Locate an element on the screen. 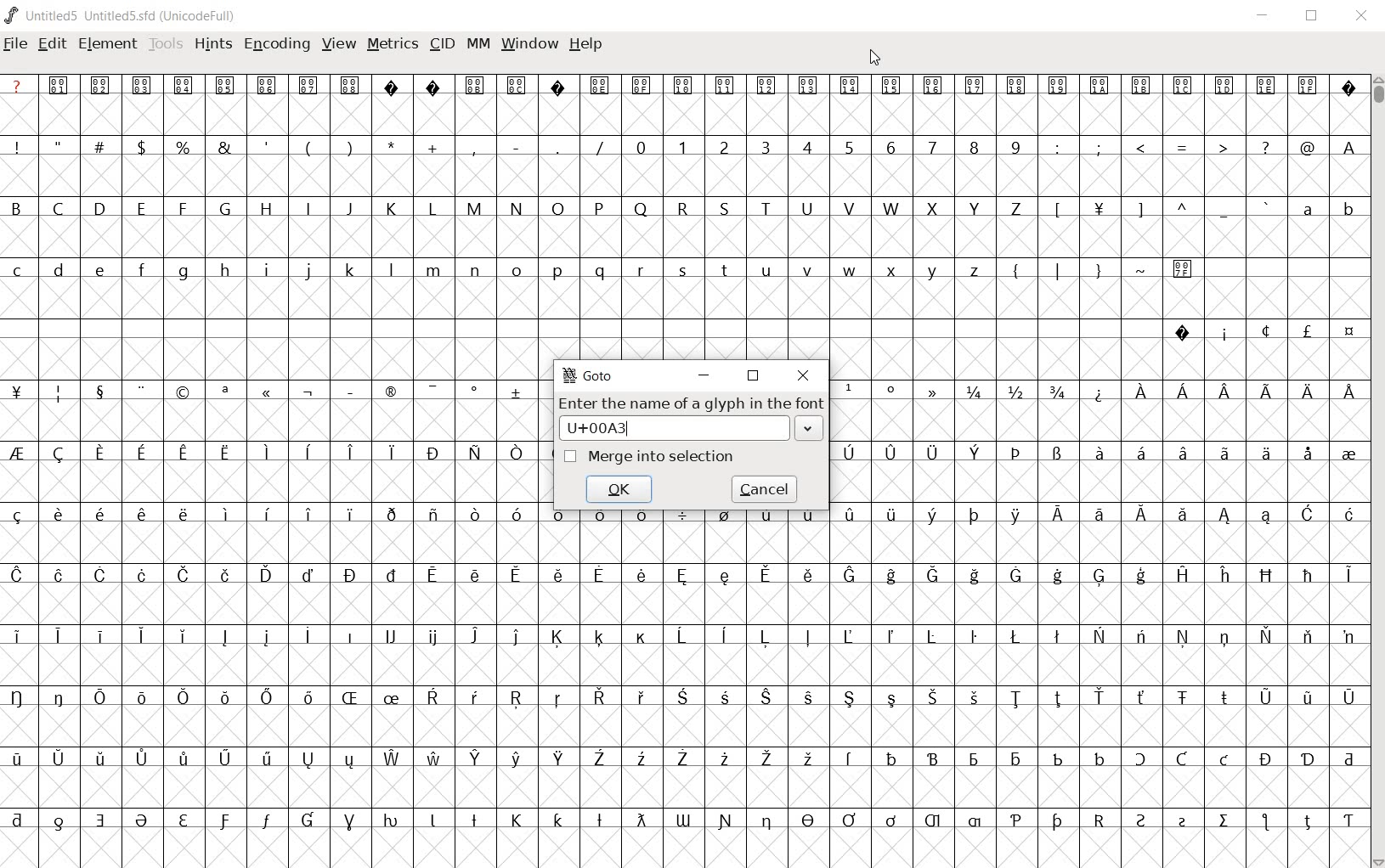 Image resolution: width=1385 pixels, height=868 pixels. Symbol is located at coordinates (975, 821).